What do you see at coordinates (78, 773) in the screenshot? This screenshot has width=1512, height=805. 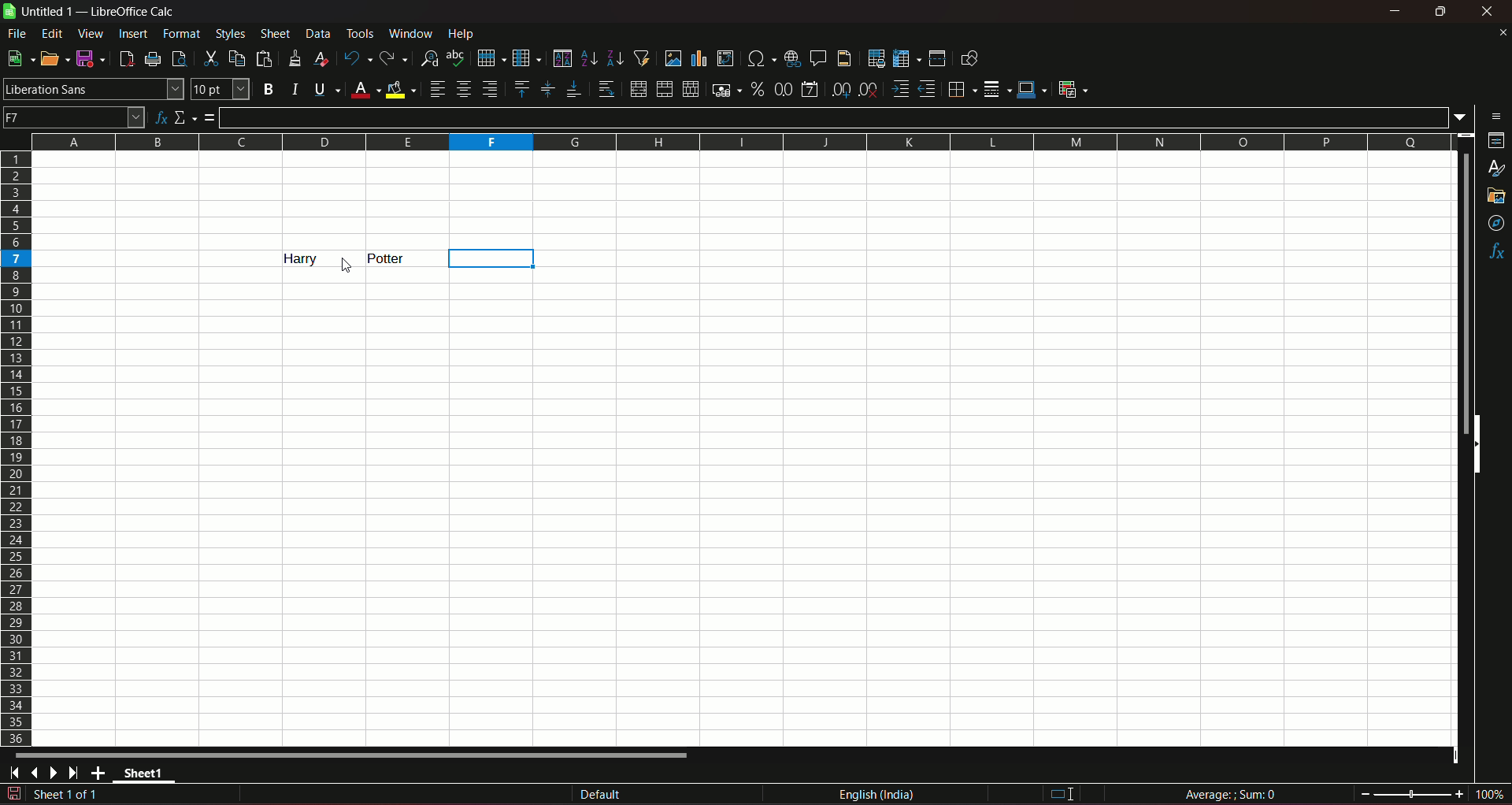 I see `scroll to last` at bounding box center [78, 773].